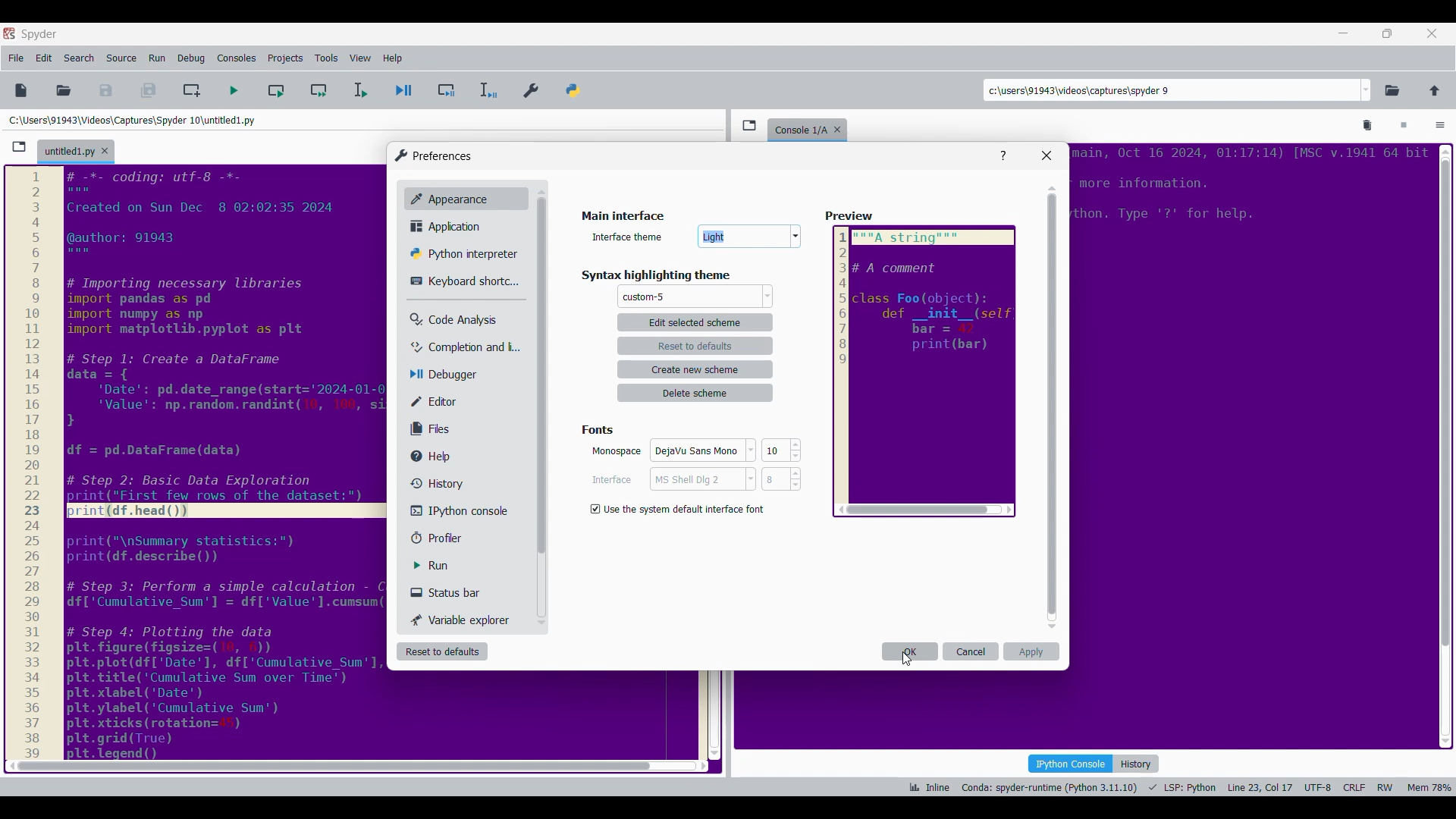 Image resolution: width=1456 pixels, height=819 pixels. Describe the element at coordinates (601, 428) in the screenshot. I see `fonts` at that location.